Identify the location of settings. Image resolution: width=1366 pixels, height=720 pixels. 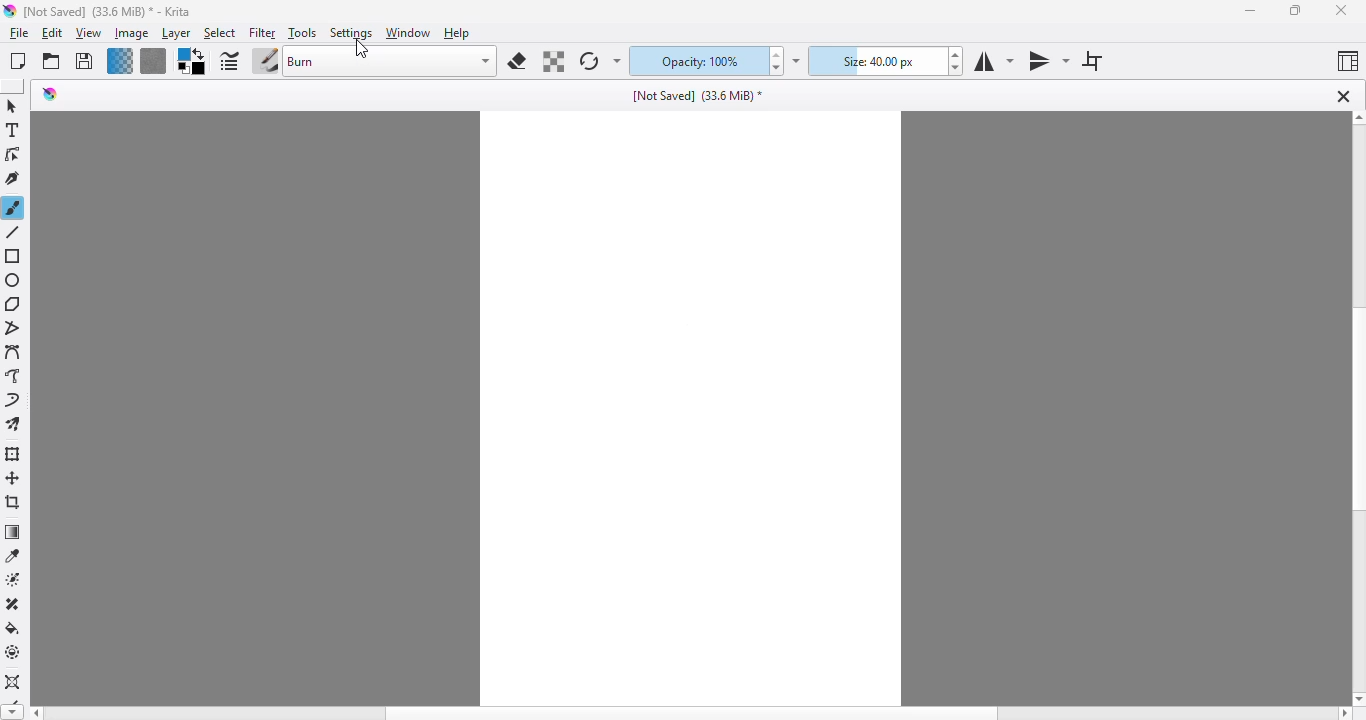
(352, 33).